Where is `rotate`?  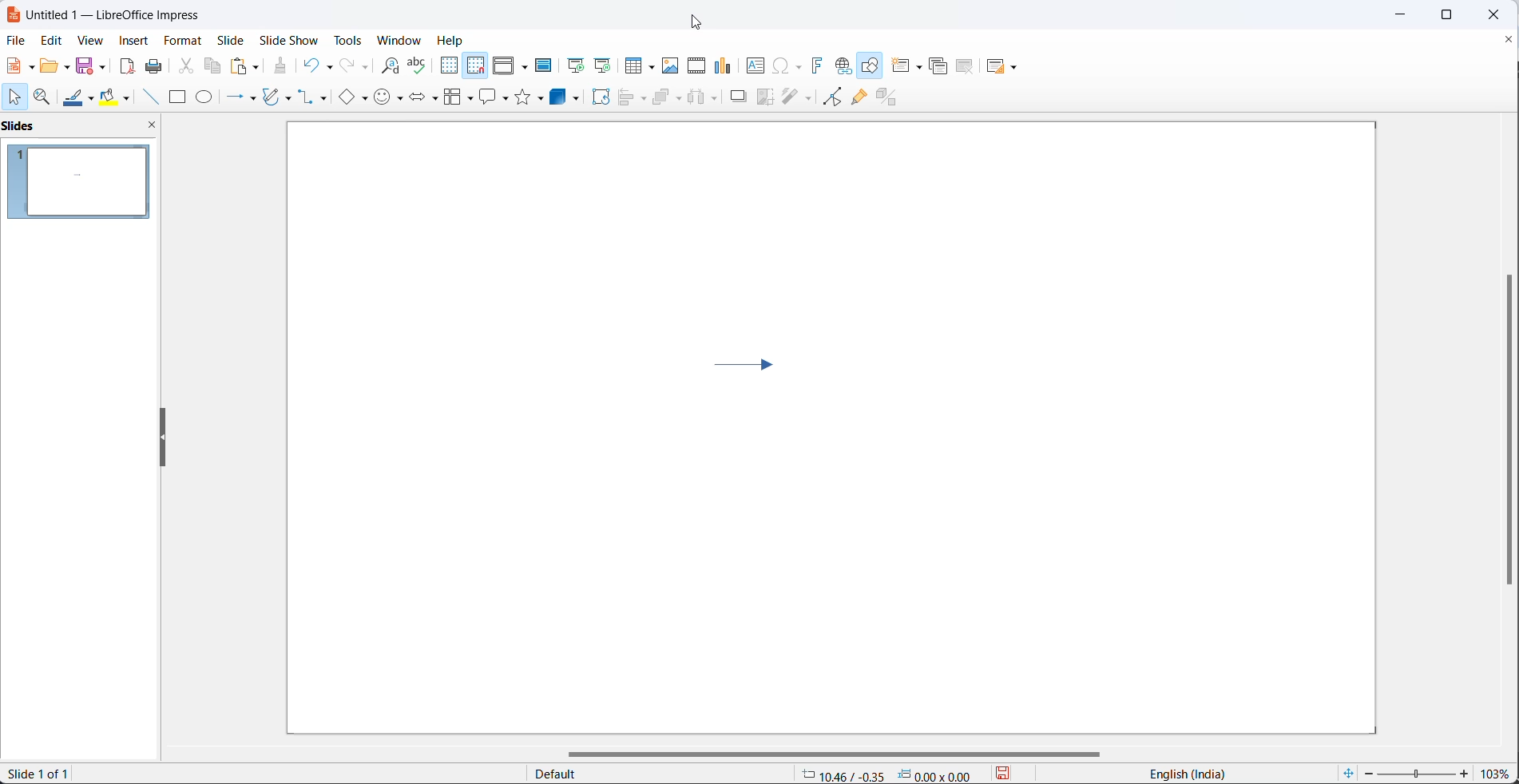
rotate is located at coordinates (601, 98).